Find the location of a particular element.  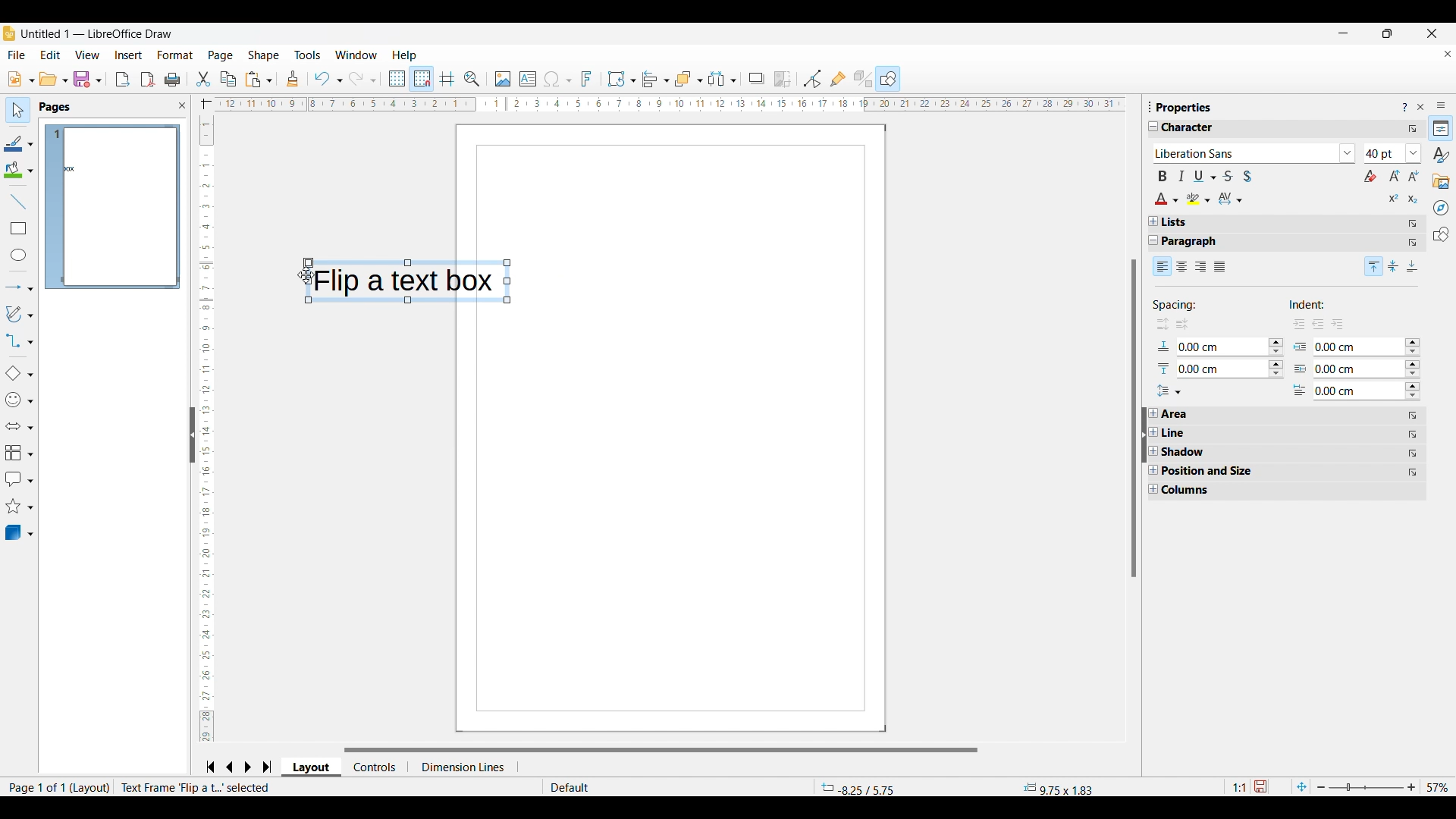

Snap to grid, highlighted is located at coordinates (421, 79).